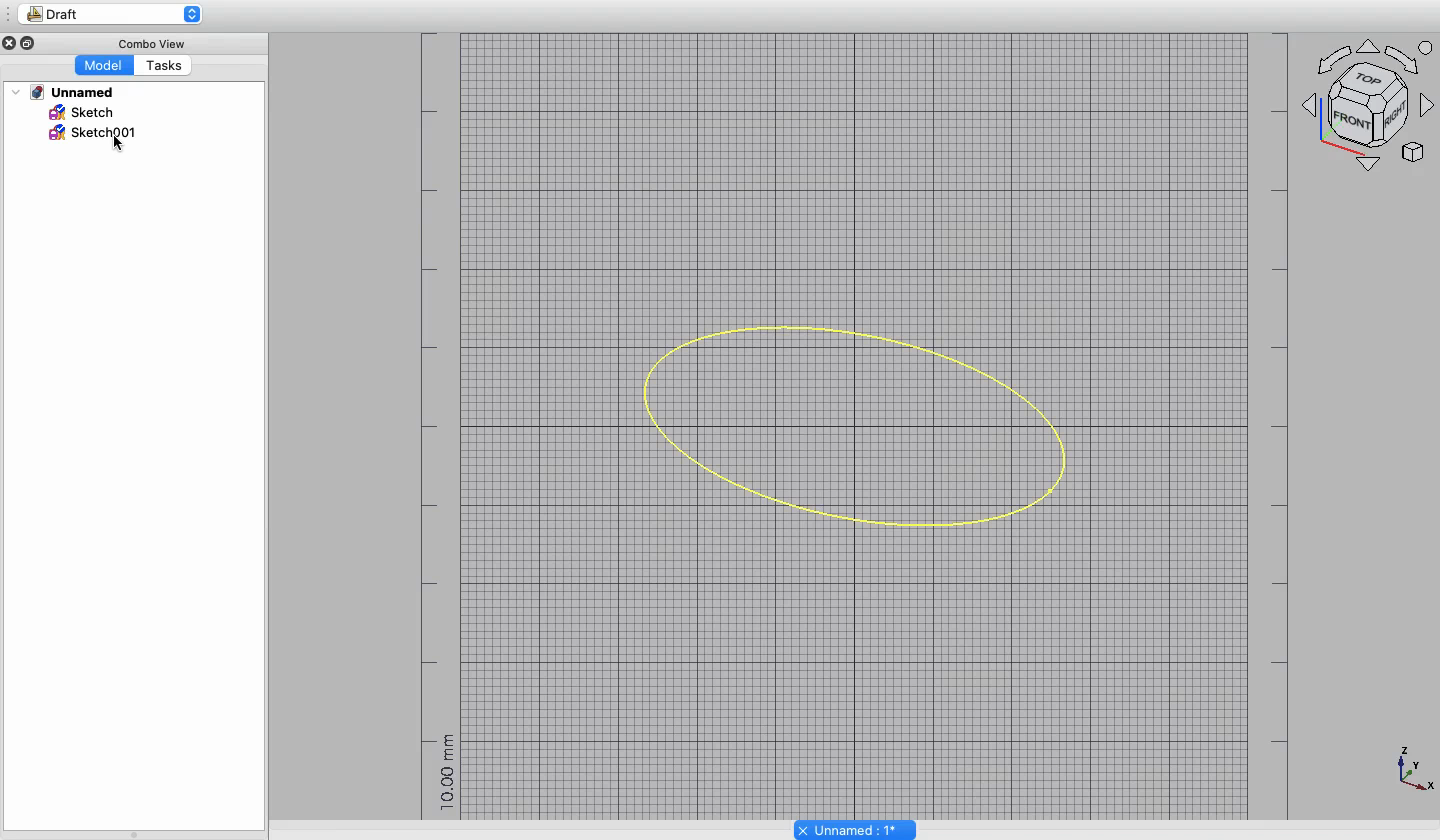  I want to click on close, so click(9, 43).